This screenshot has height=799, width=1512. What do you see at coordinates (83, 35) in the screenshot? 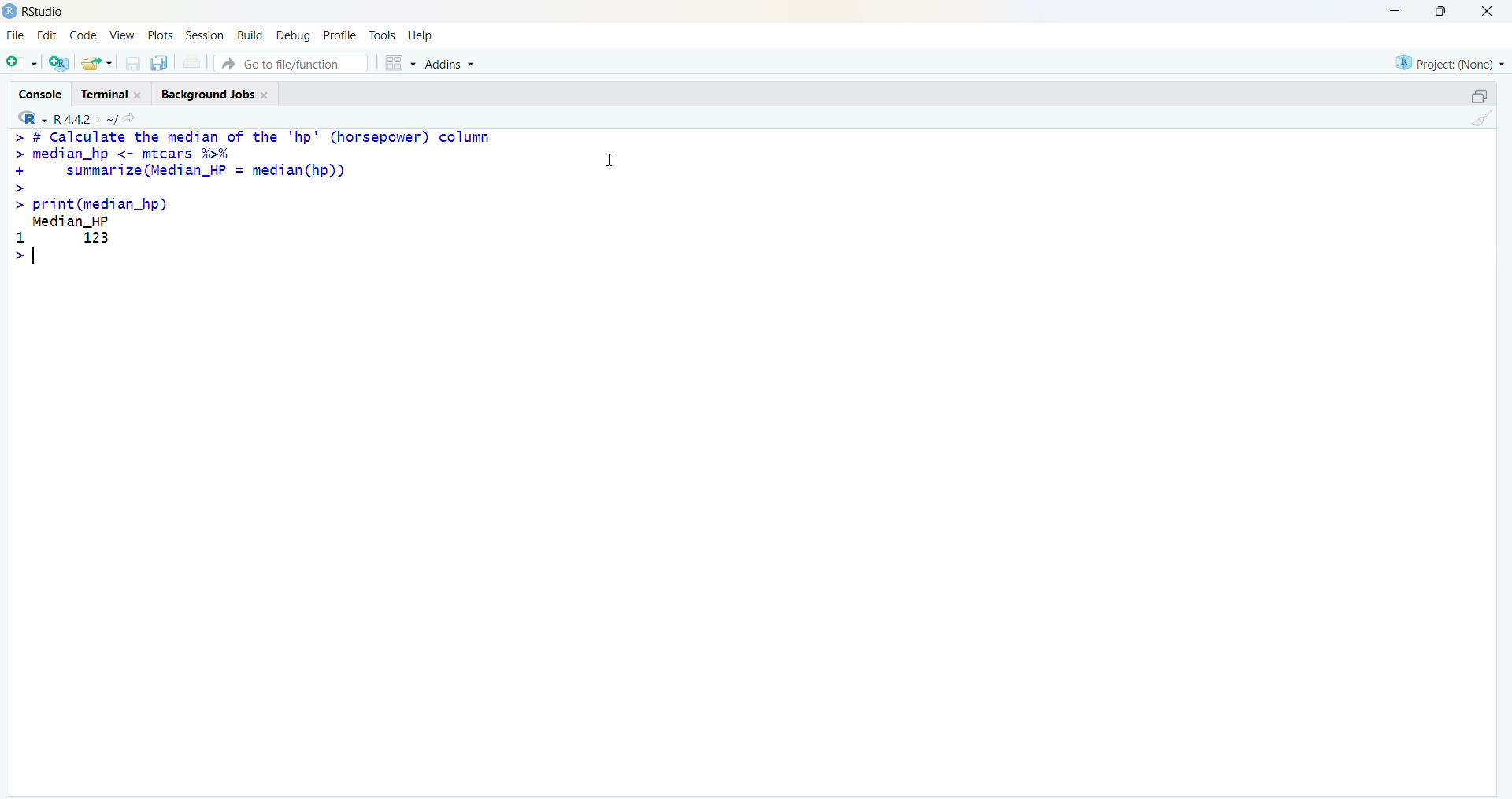
I see `code` at bounding box center [83, 35].